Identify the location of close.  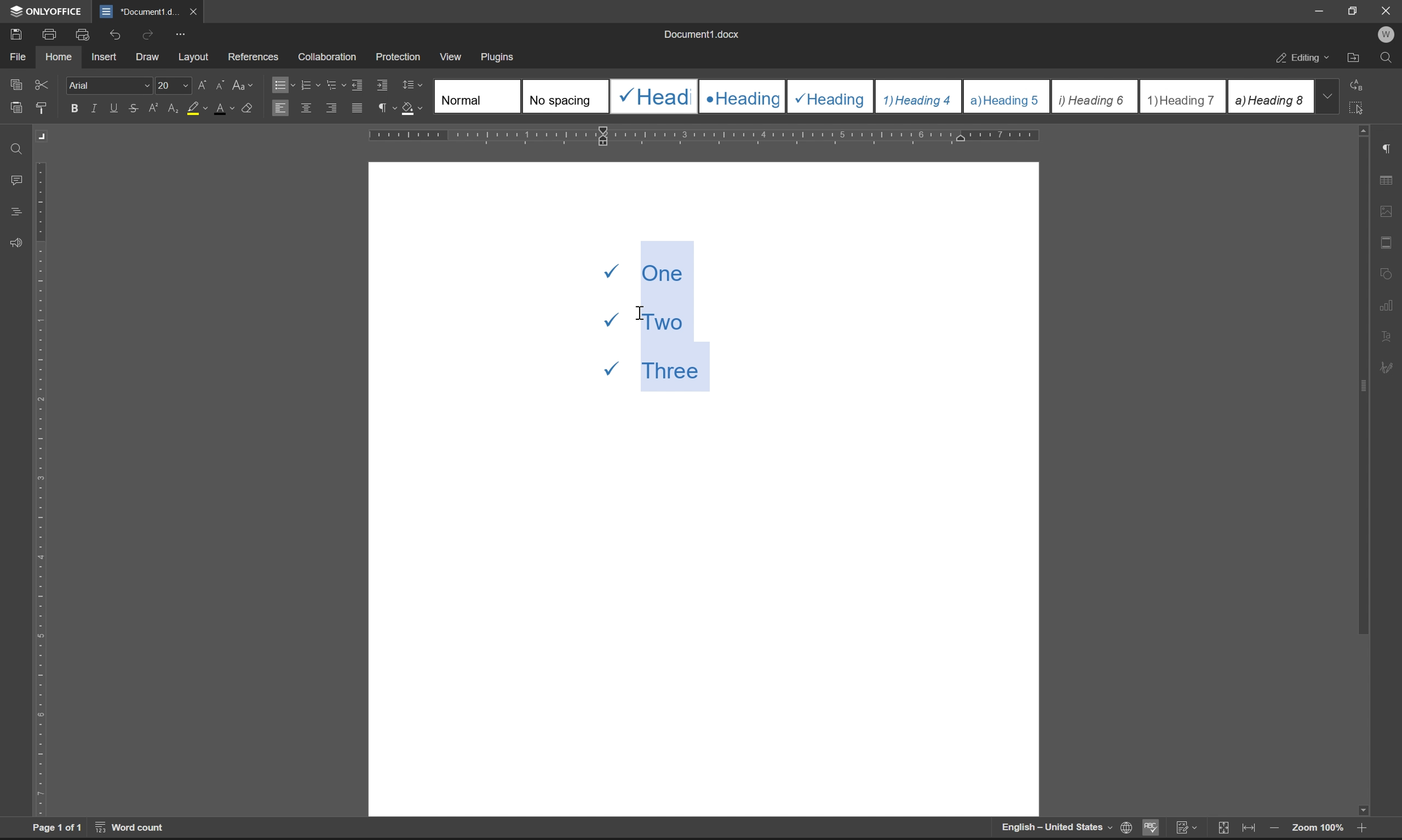
(192, 11).